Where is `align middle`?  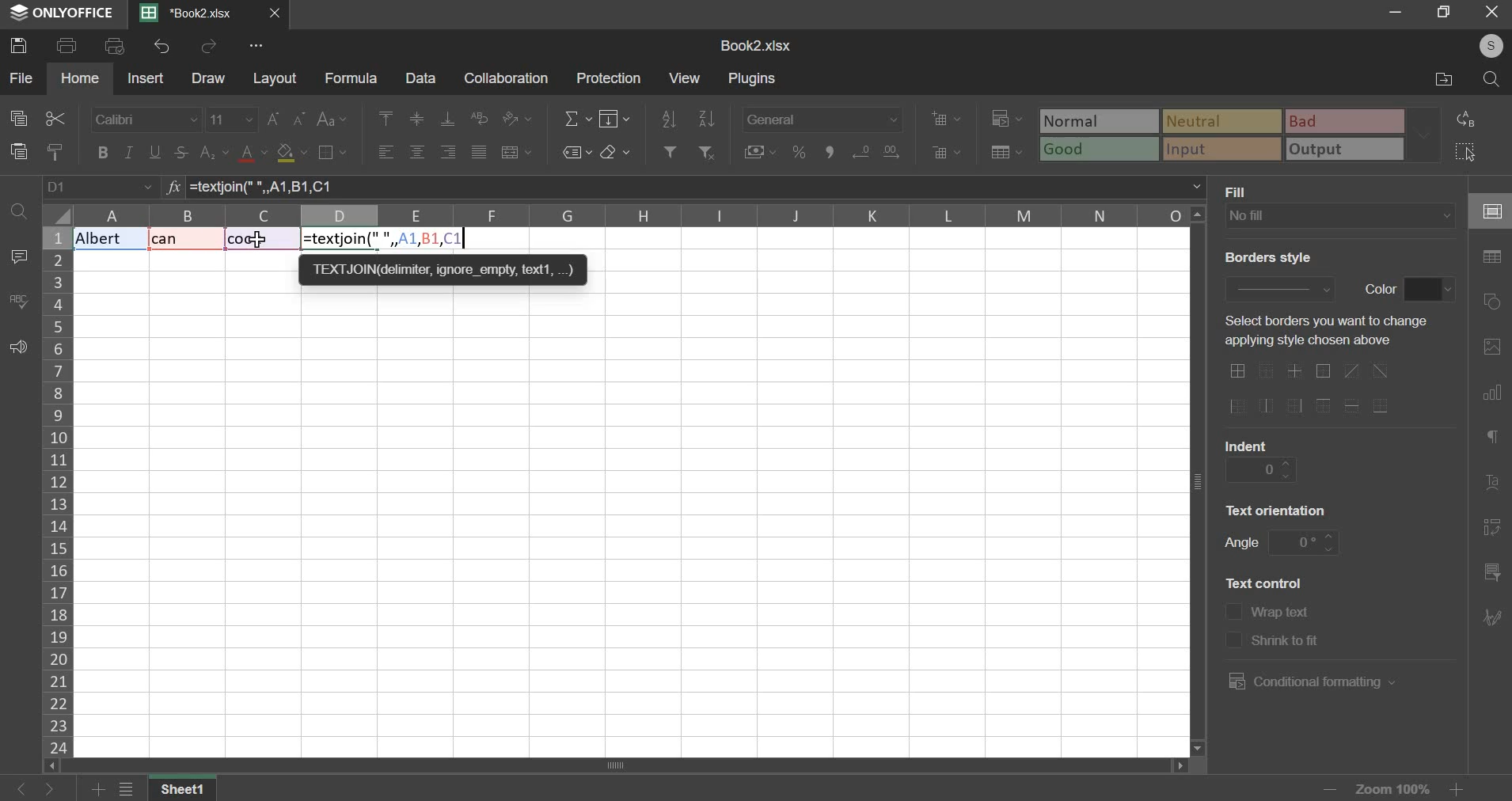
align middle is located at coordinates (419, 119).